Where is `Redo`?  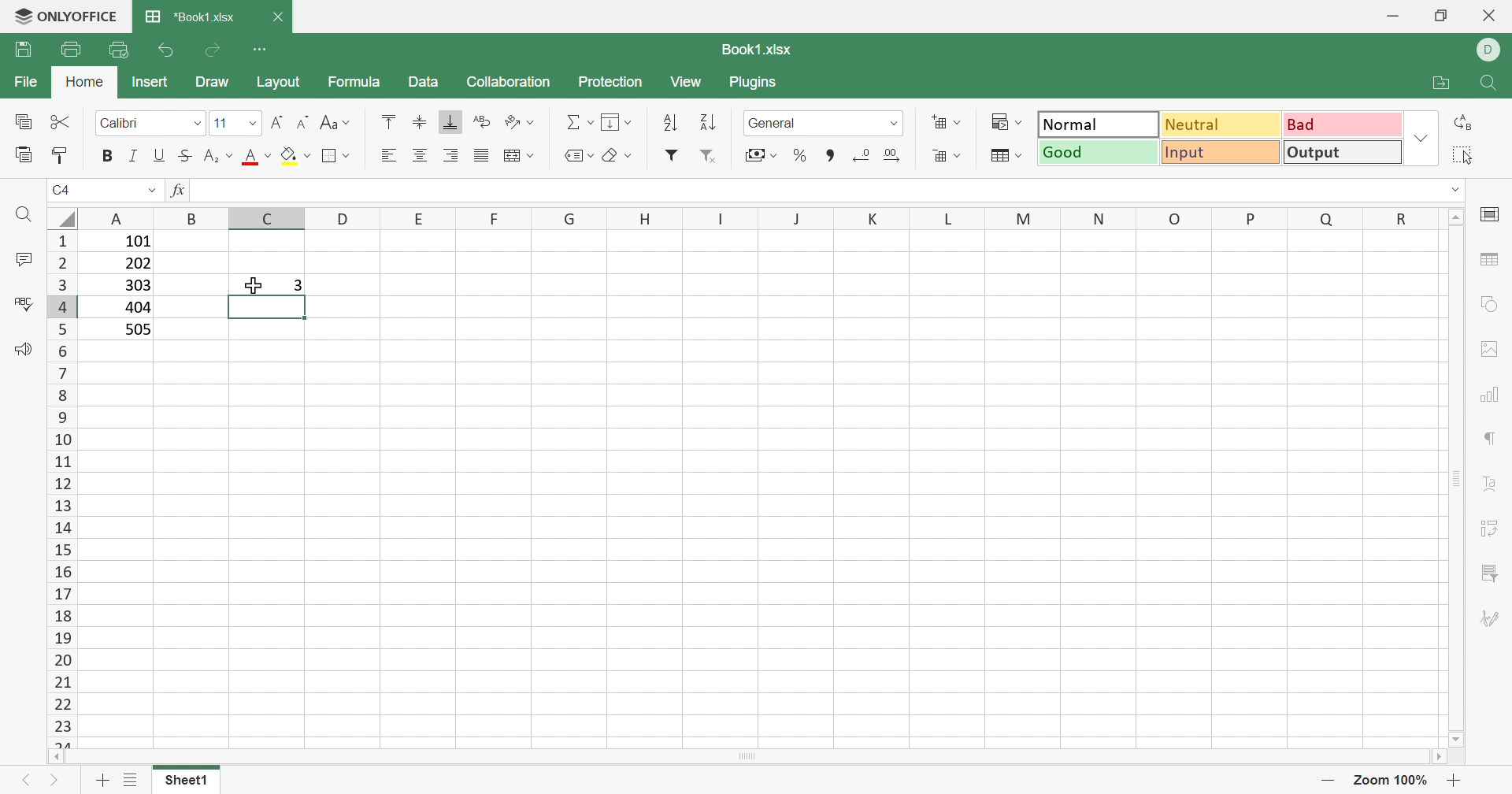 Redo is located at coordinates (216, 50).